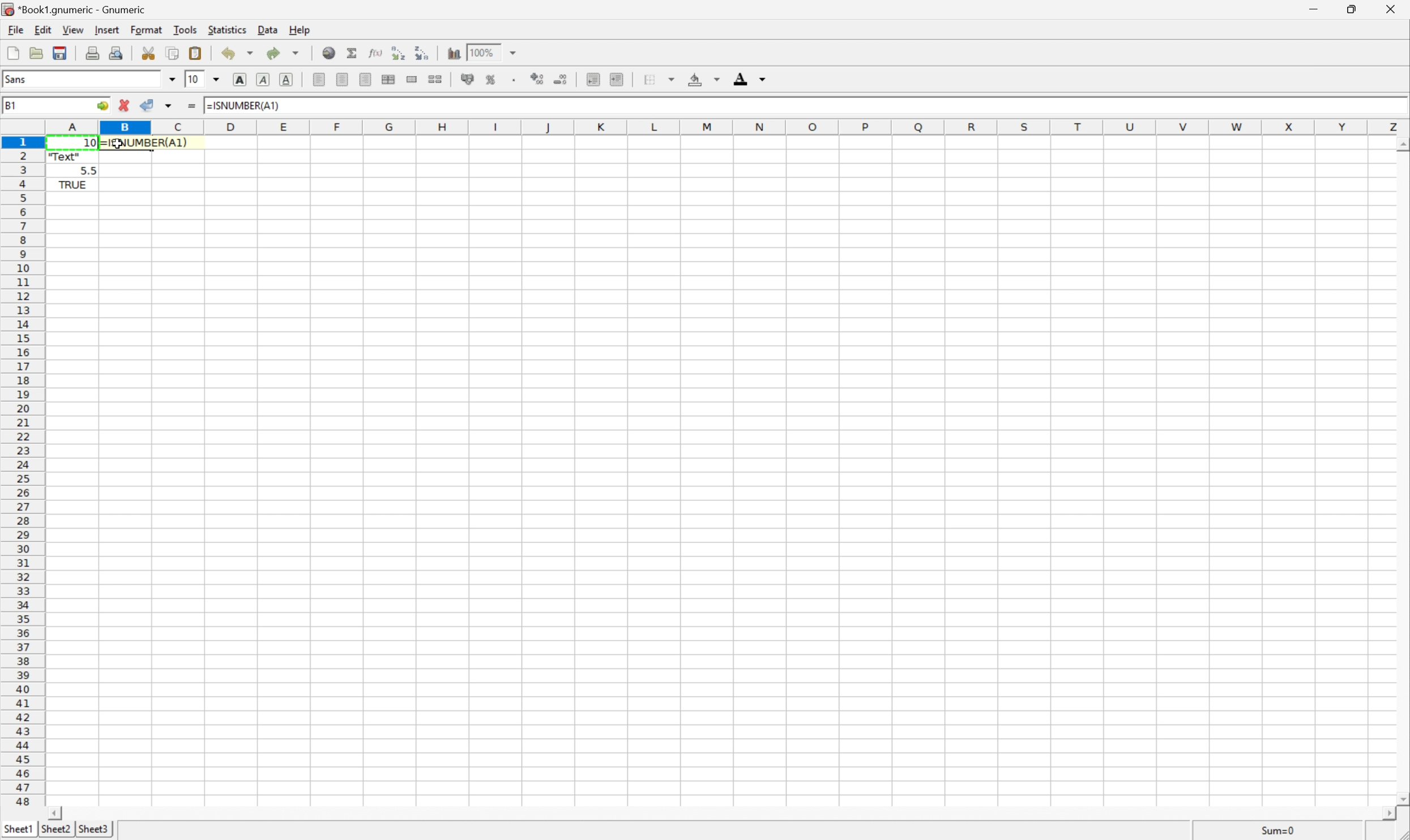 This screenshot has width=1410, height=840. I want to click on Italic, so click(262, 80).